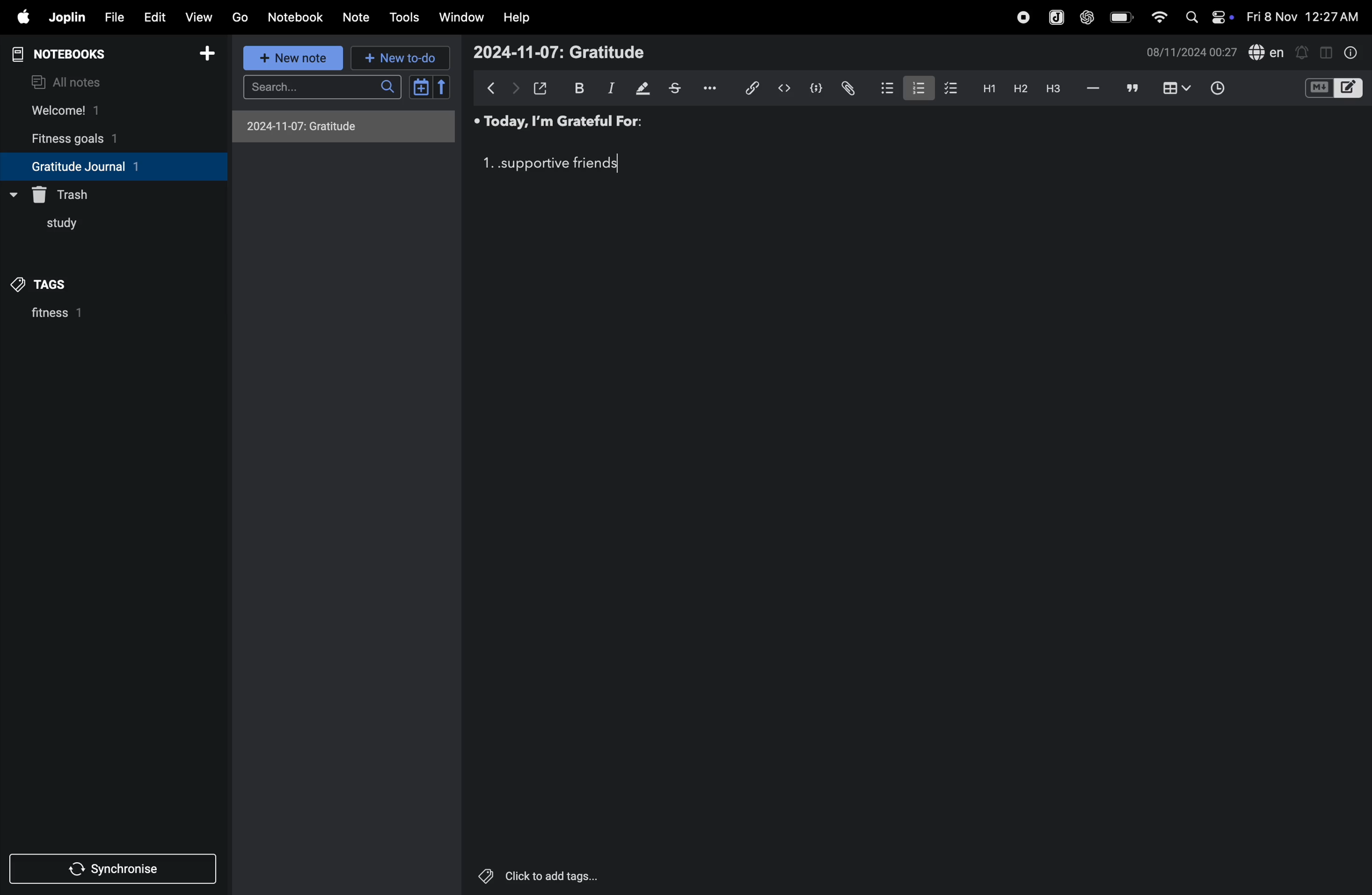  I want to click on new to do, so click(397, 58).